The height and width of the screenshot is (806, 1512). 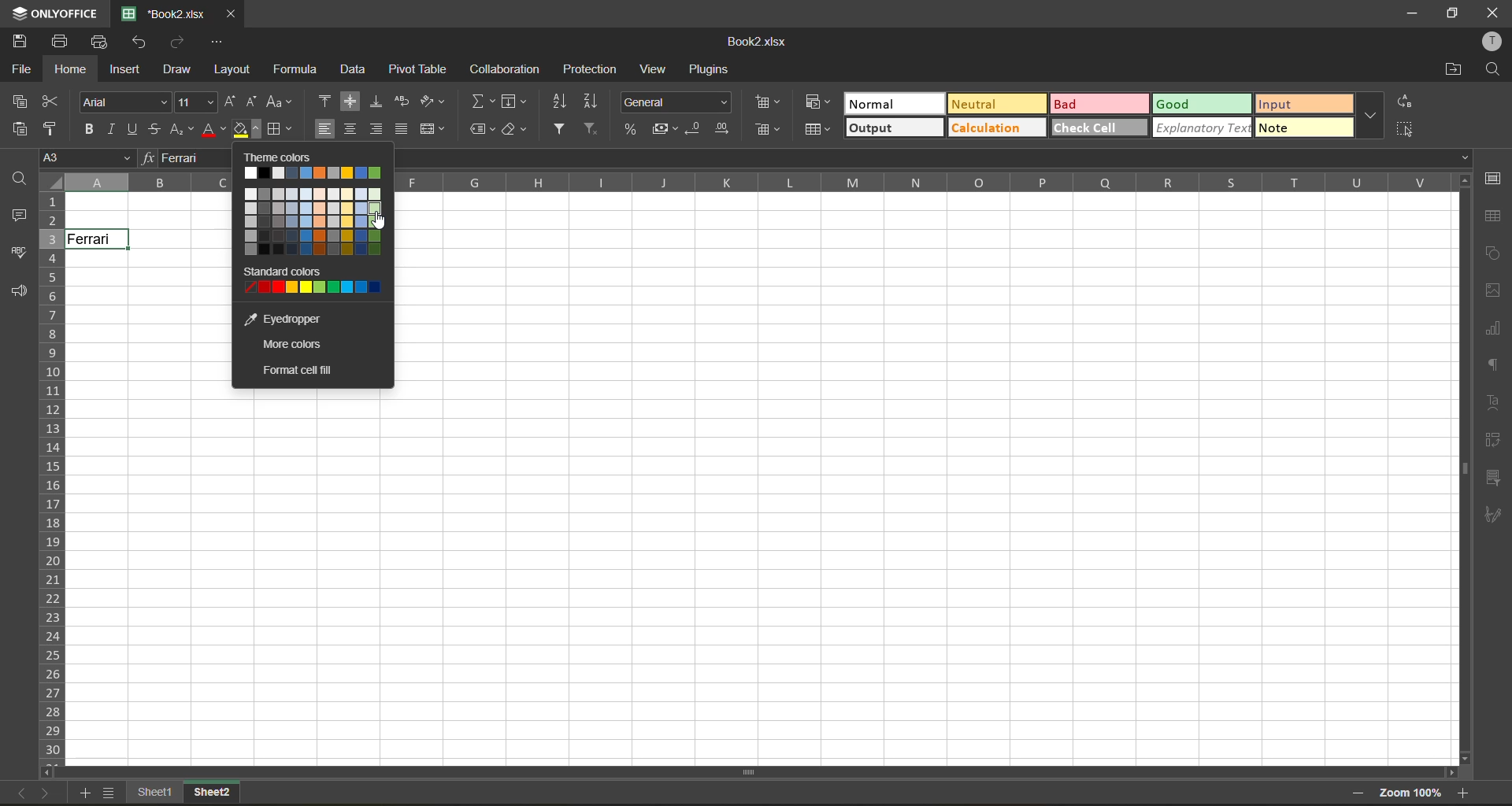 I want to click on fill color, so click(x=246, y=130).